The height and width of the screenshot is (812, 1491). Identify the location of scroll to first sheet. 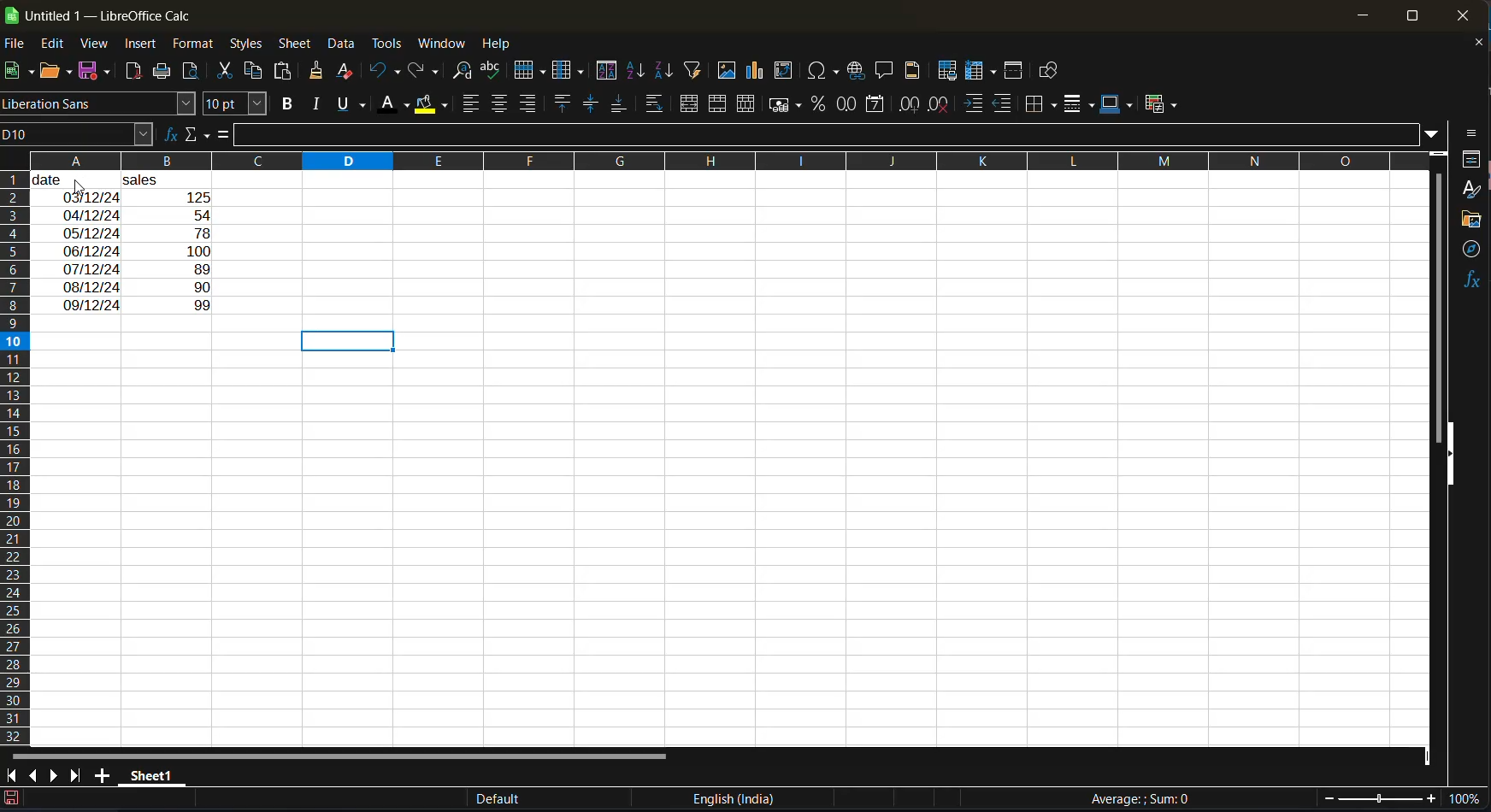
(9, 776).